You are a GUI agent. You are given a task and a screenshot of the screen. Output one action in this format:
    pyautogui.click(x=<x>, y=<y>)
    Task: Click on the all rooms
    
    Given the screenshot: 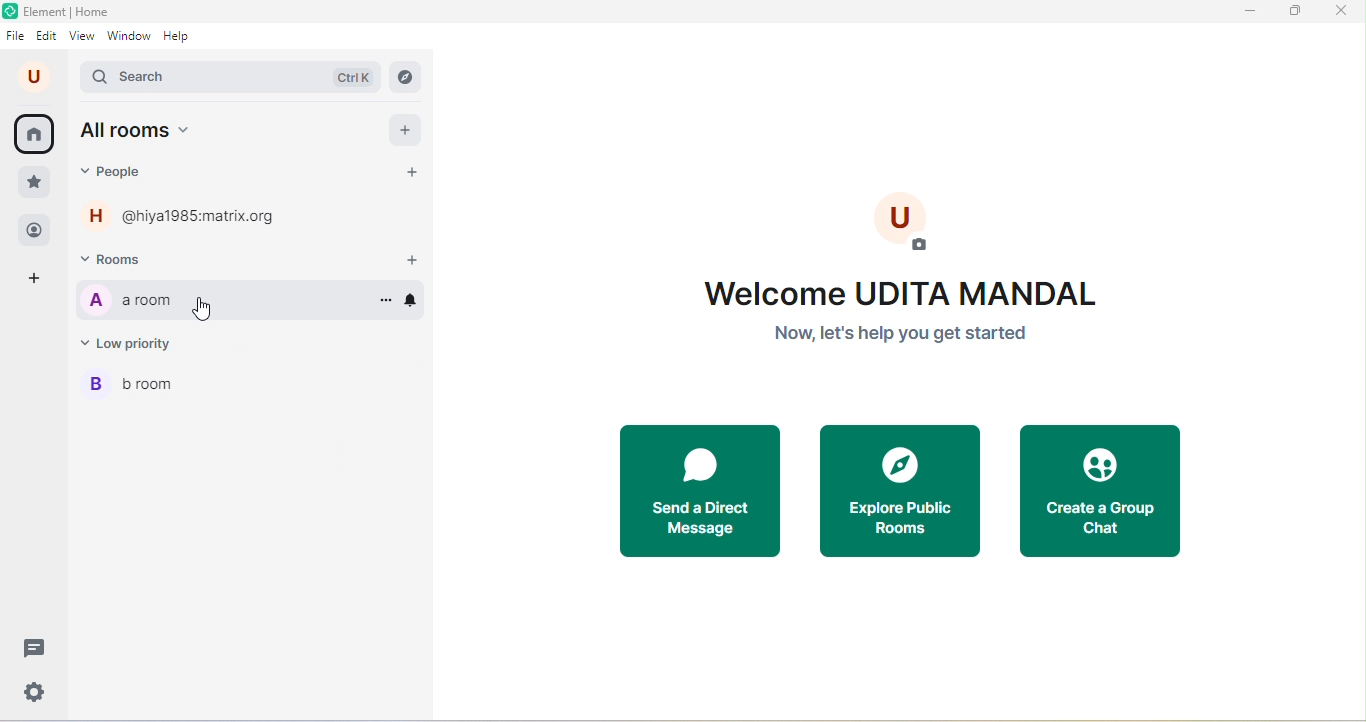 What is the action you would take?
    pyautogui.click(x=137, y=132)
    